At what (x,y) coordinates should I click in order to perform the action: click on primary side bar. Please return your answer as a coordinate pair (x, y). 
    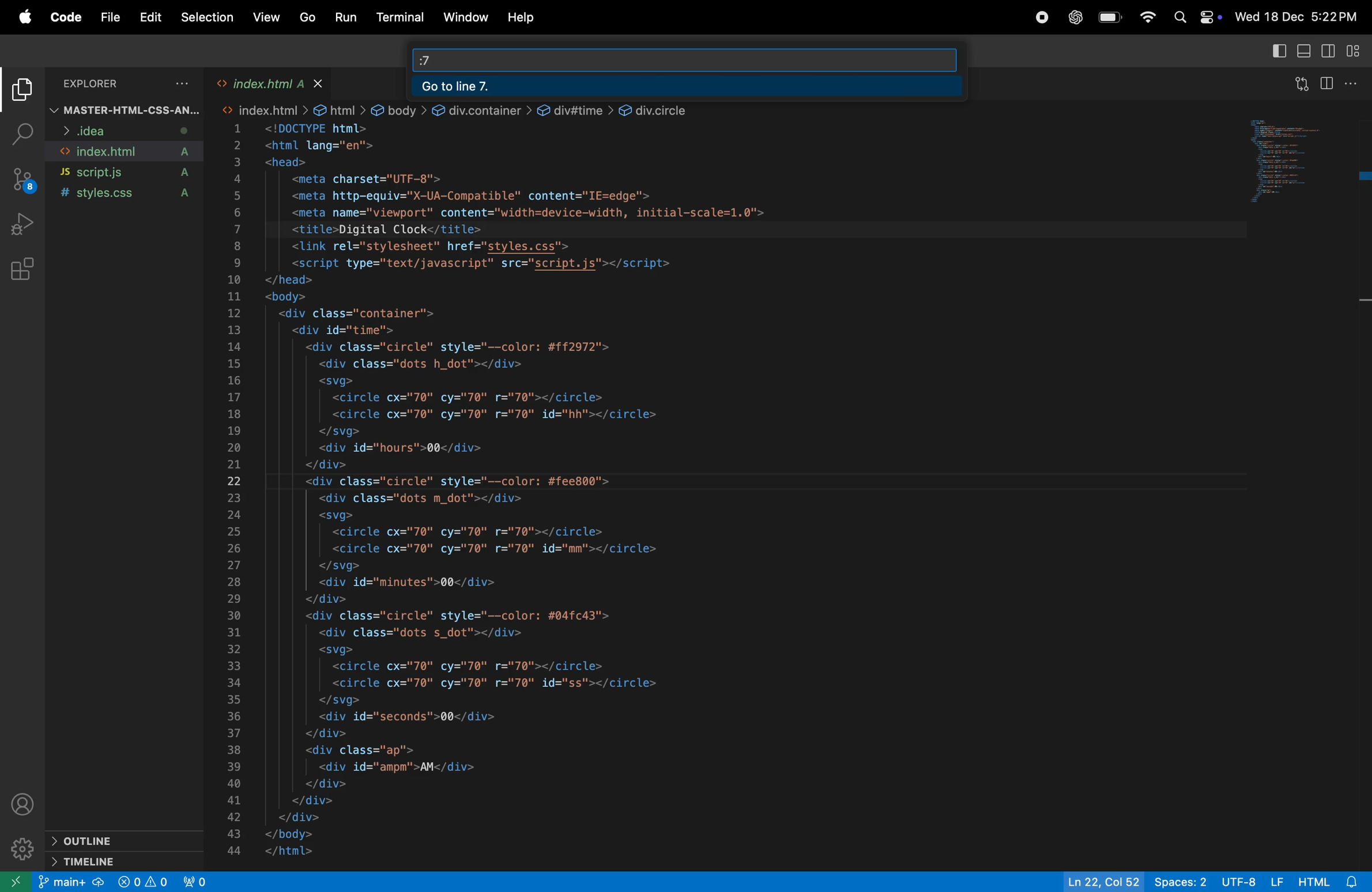
    Looking at the image, I should click on (1276, 52).